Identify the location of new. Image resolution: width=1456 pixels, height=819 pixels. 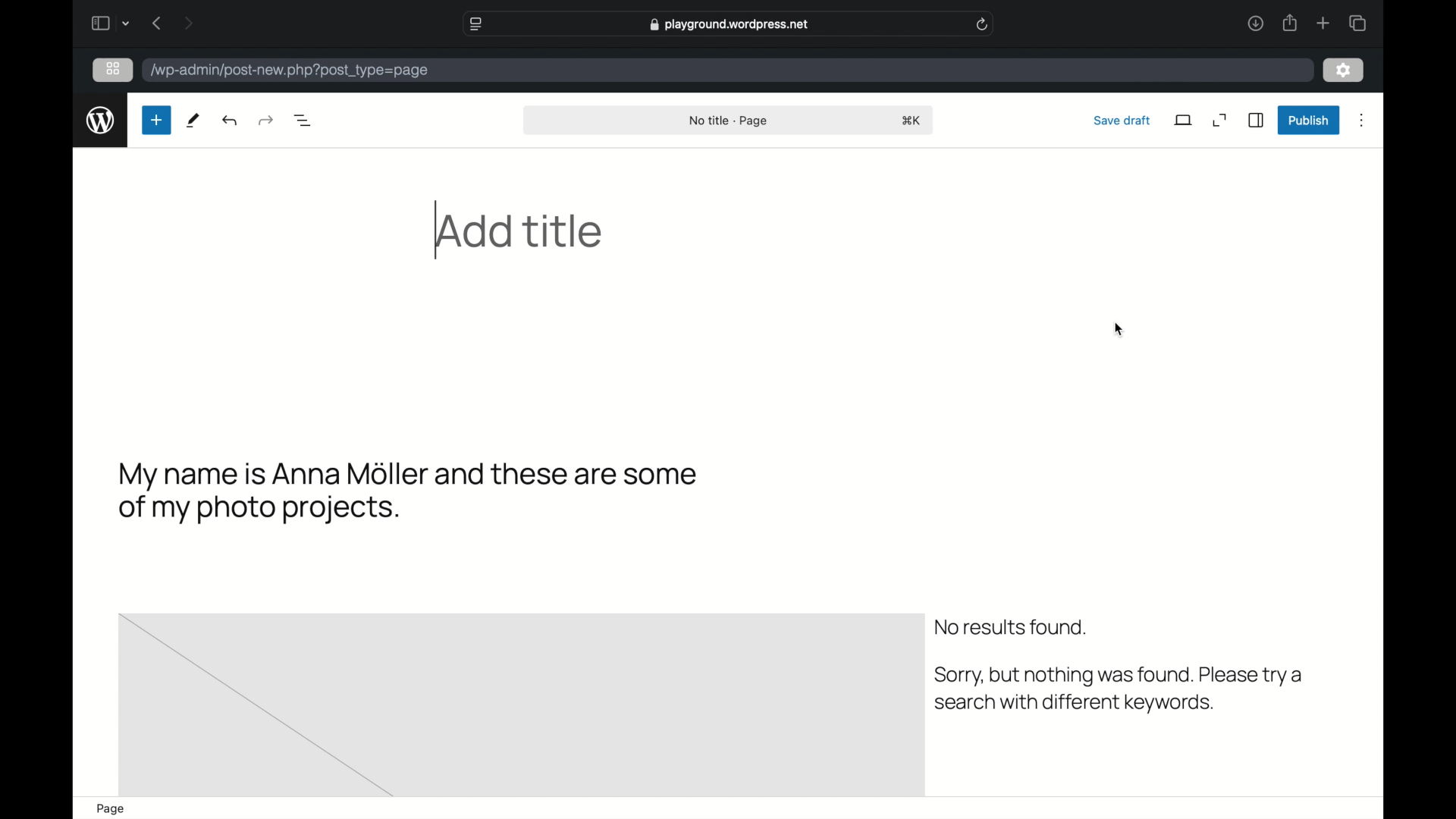
(193, 120).